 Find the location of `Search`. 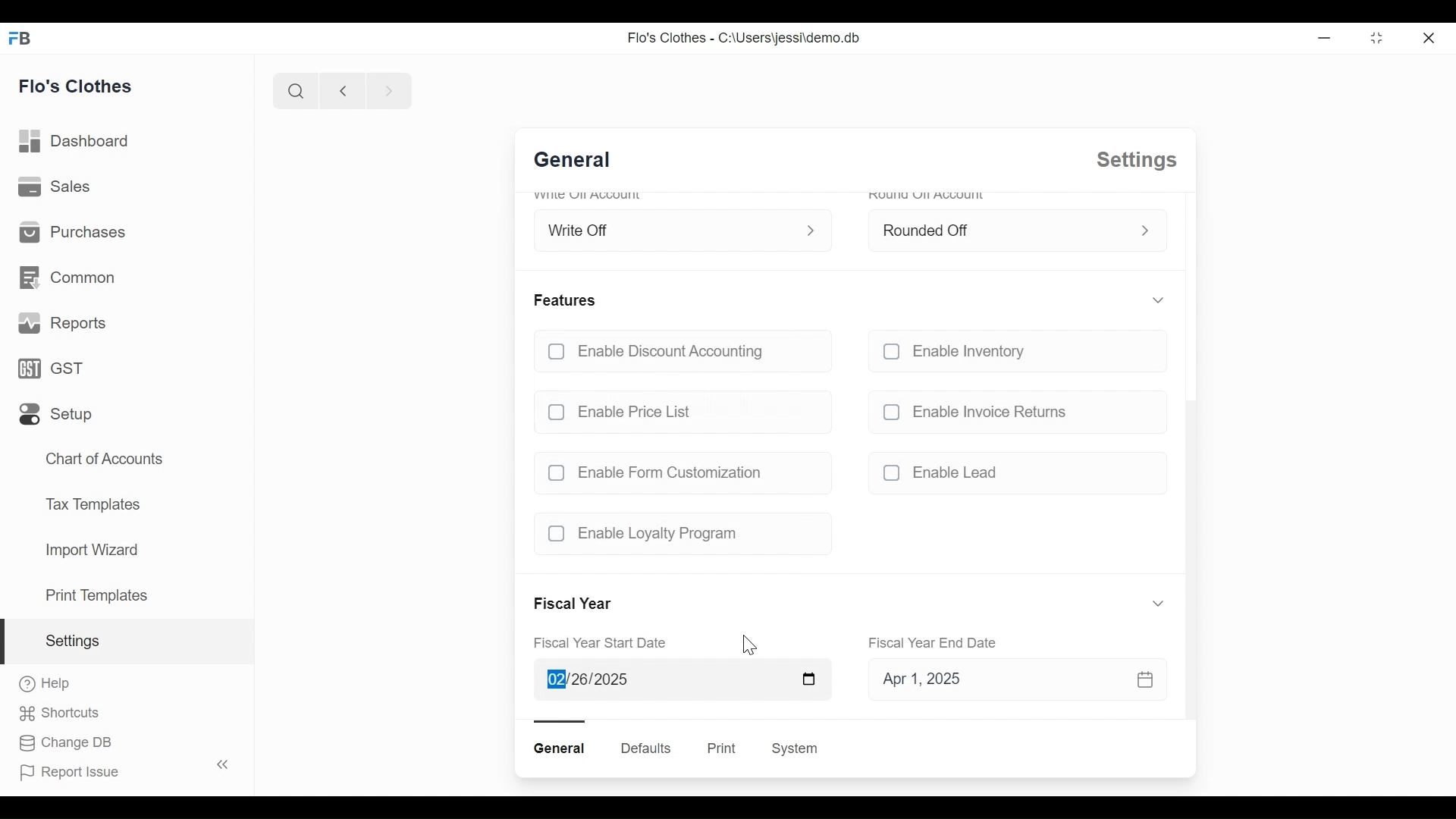

Search is located at coordinates (293, 91).